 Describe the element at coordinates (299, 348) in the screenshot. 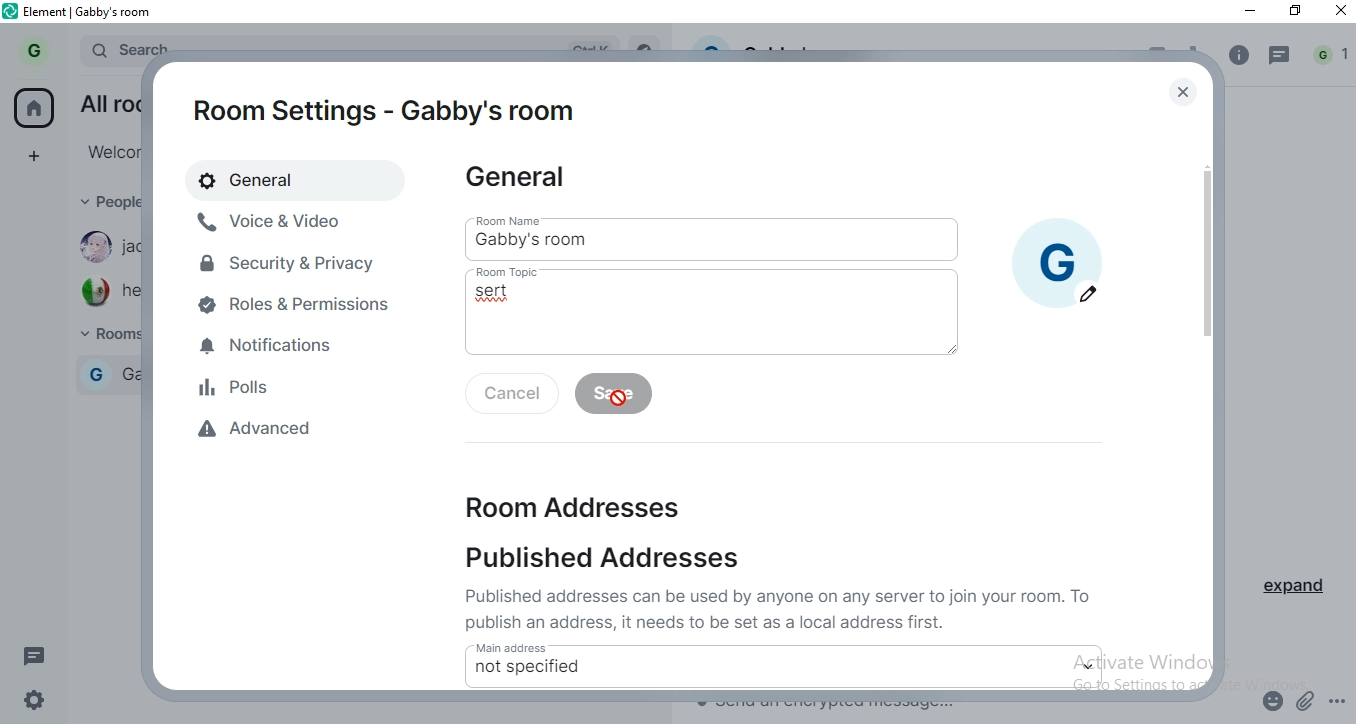

I see `notifications` at that location.